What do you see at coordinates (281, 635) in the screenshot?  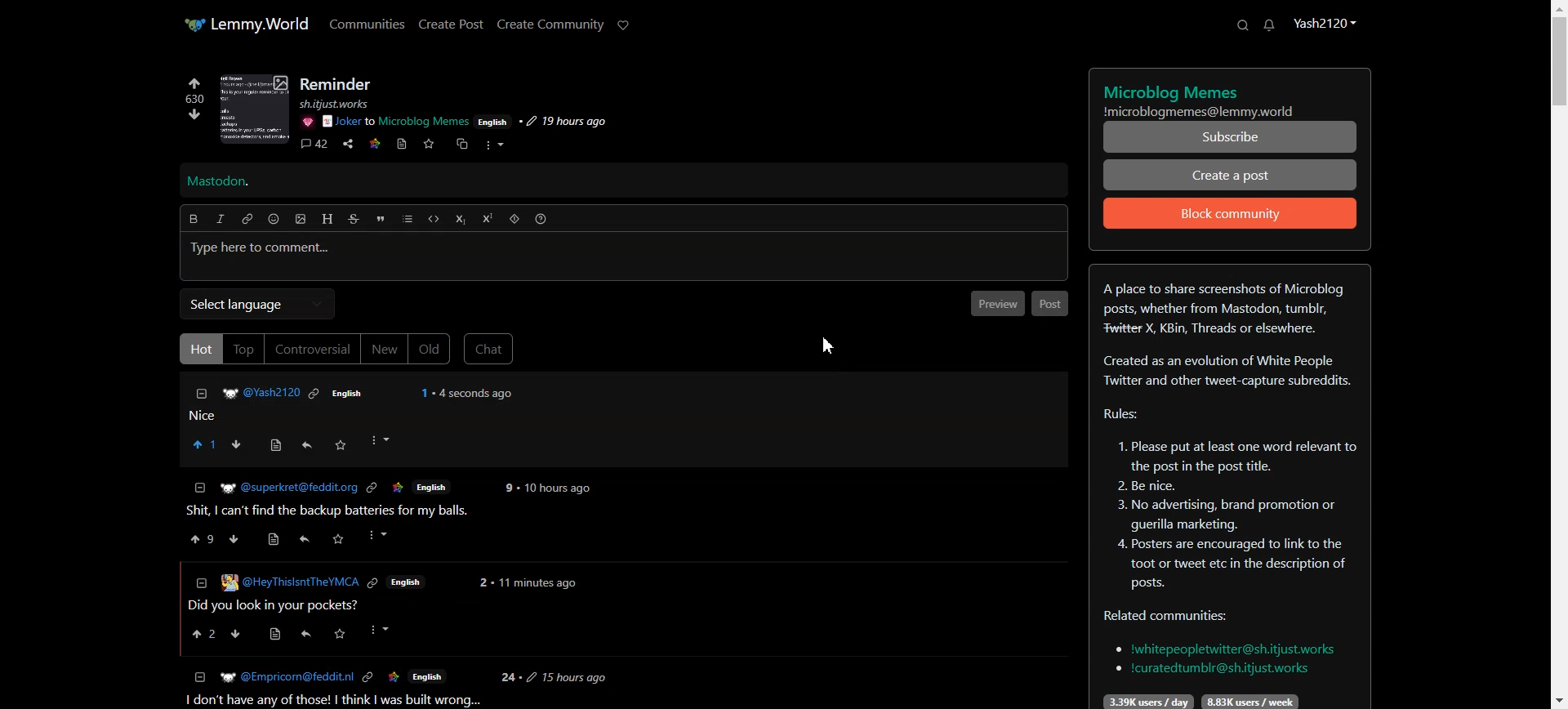 I see `` at bounding box center [281, 635].